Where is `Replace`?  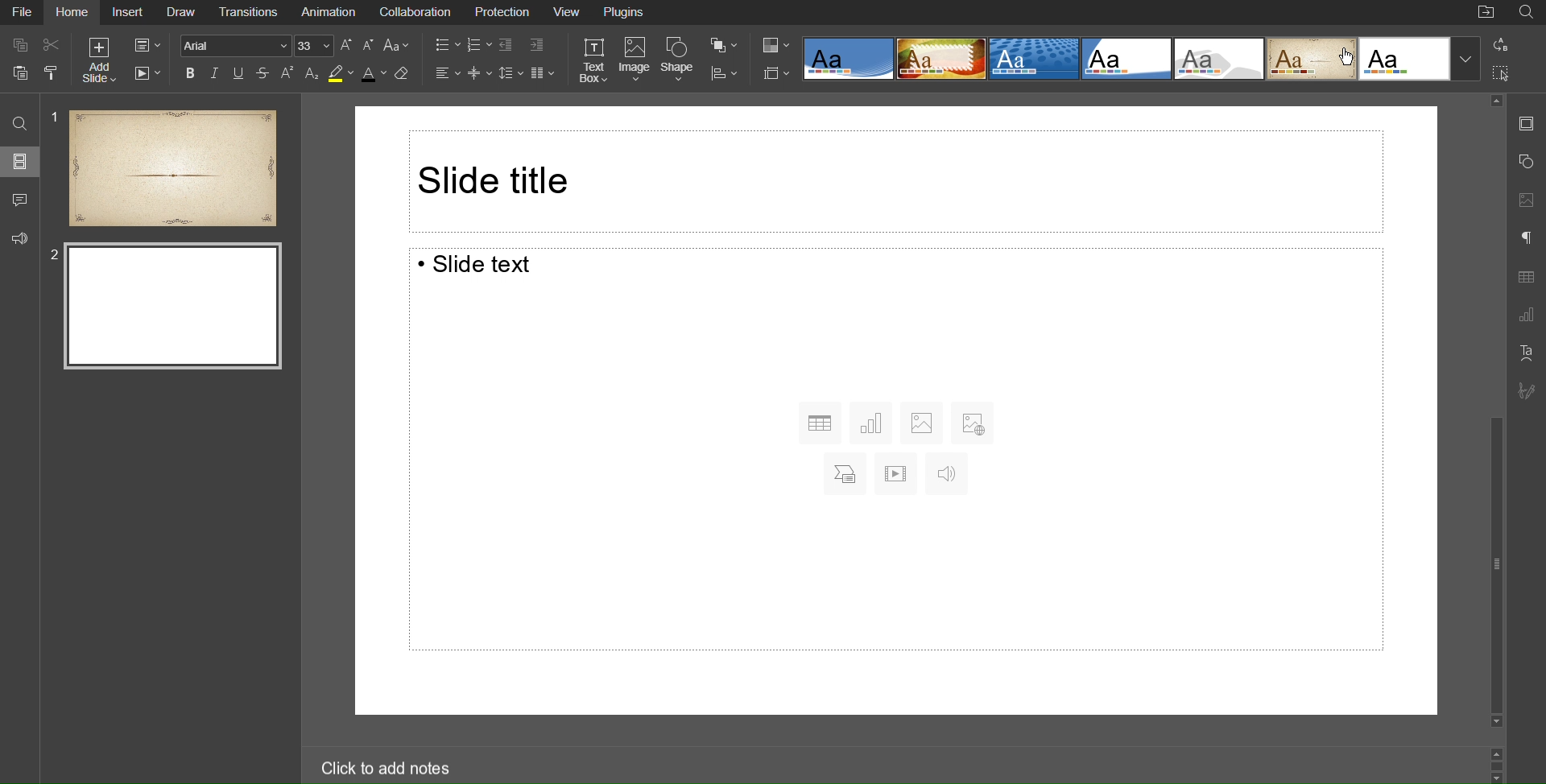
Replace is located at coordinates (1499, 45).